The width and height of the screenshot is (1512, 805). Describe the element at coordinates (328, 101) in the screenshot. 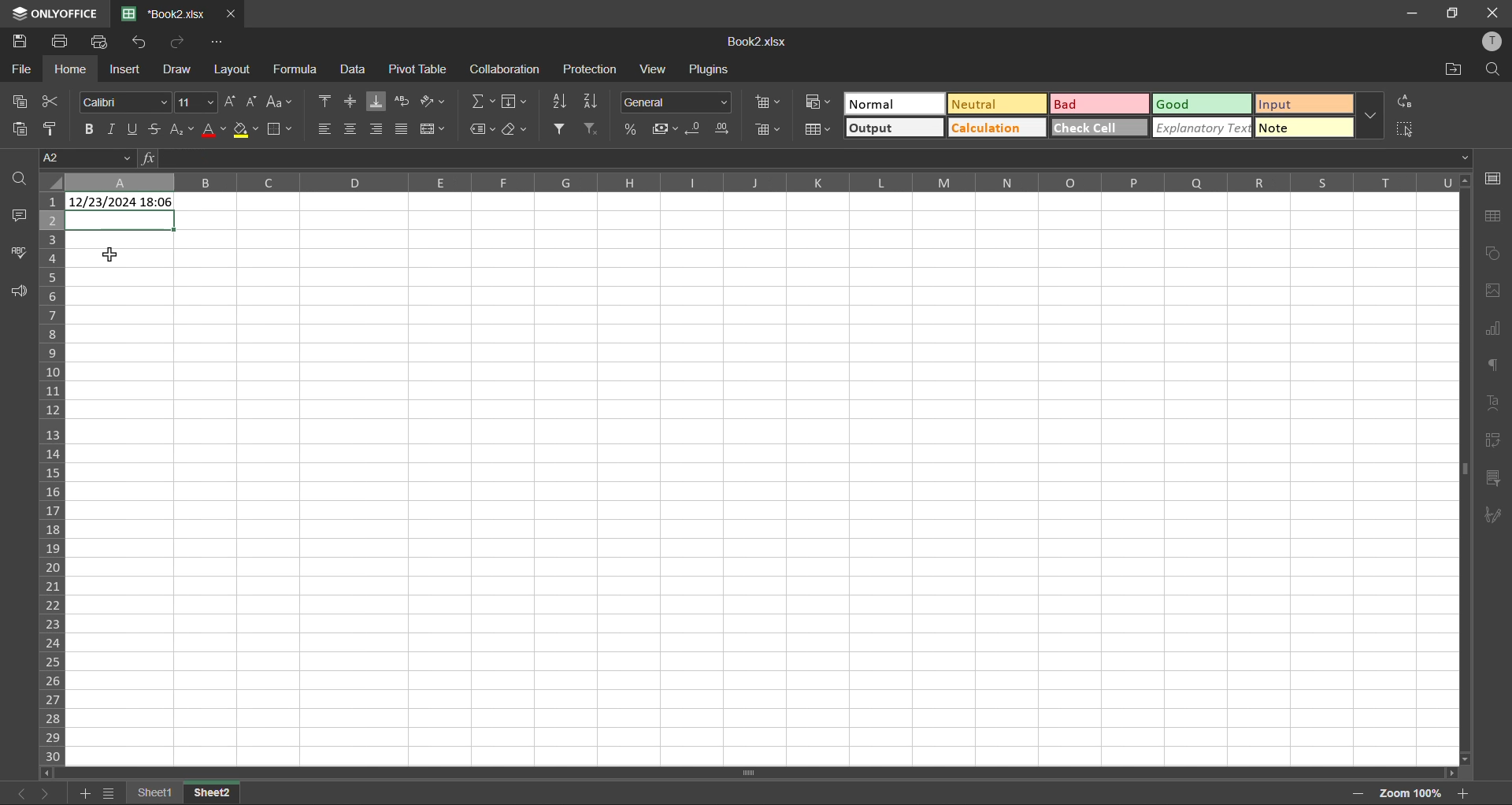

I see `align top` at that location.